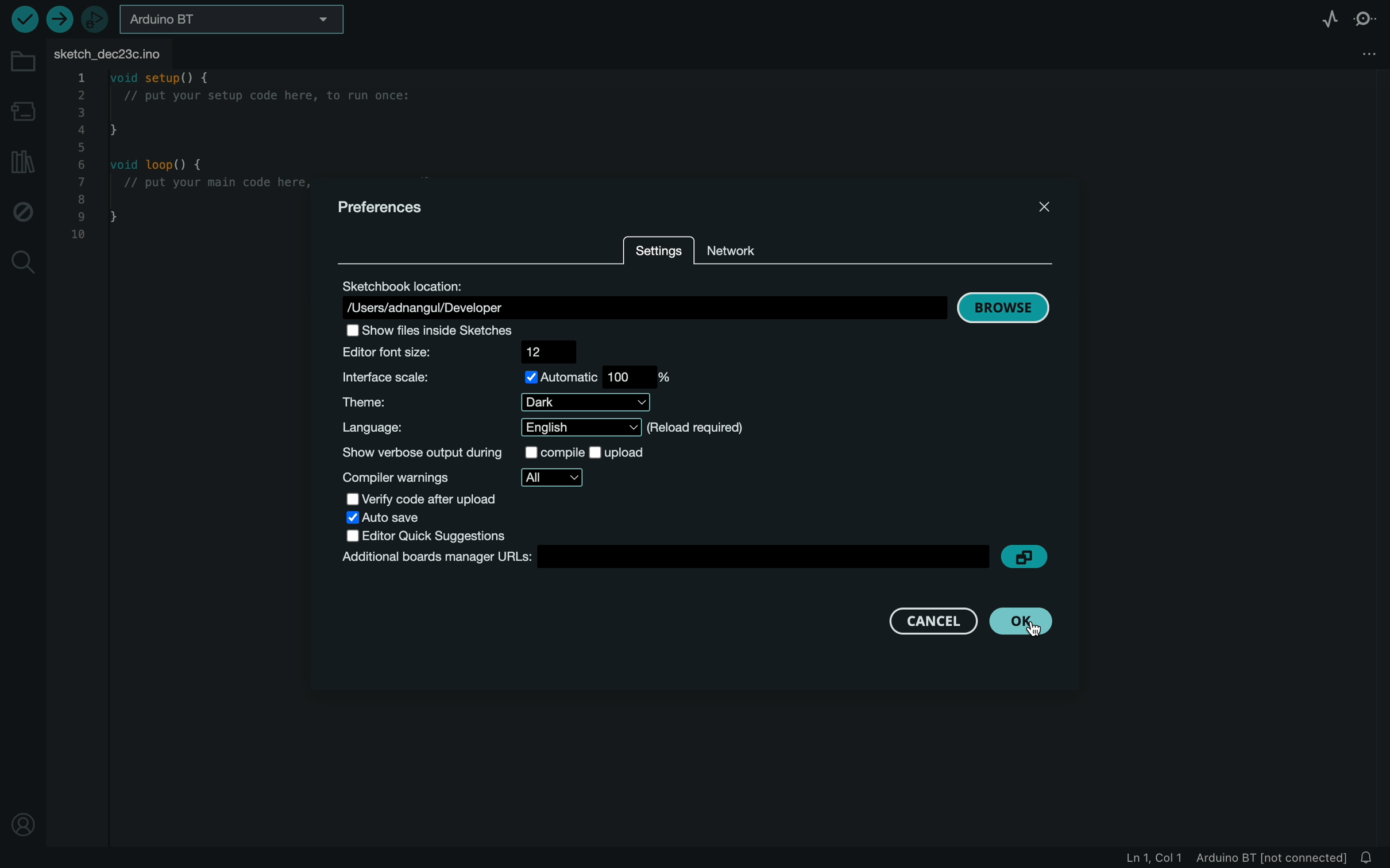  I want to click on verify, so click(428, 497).